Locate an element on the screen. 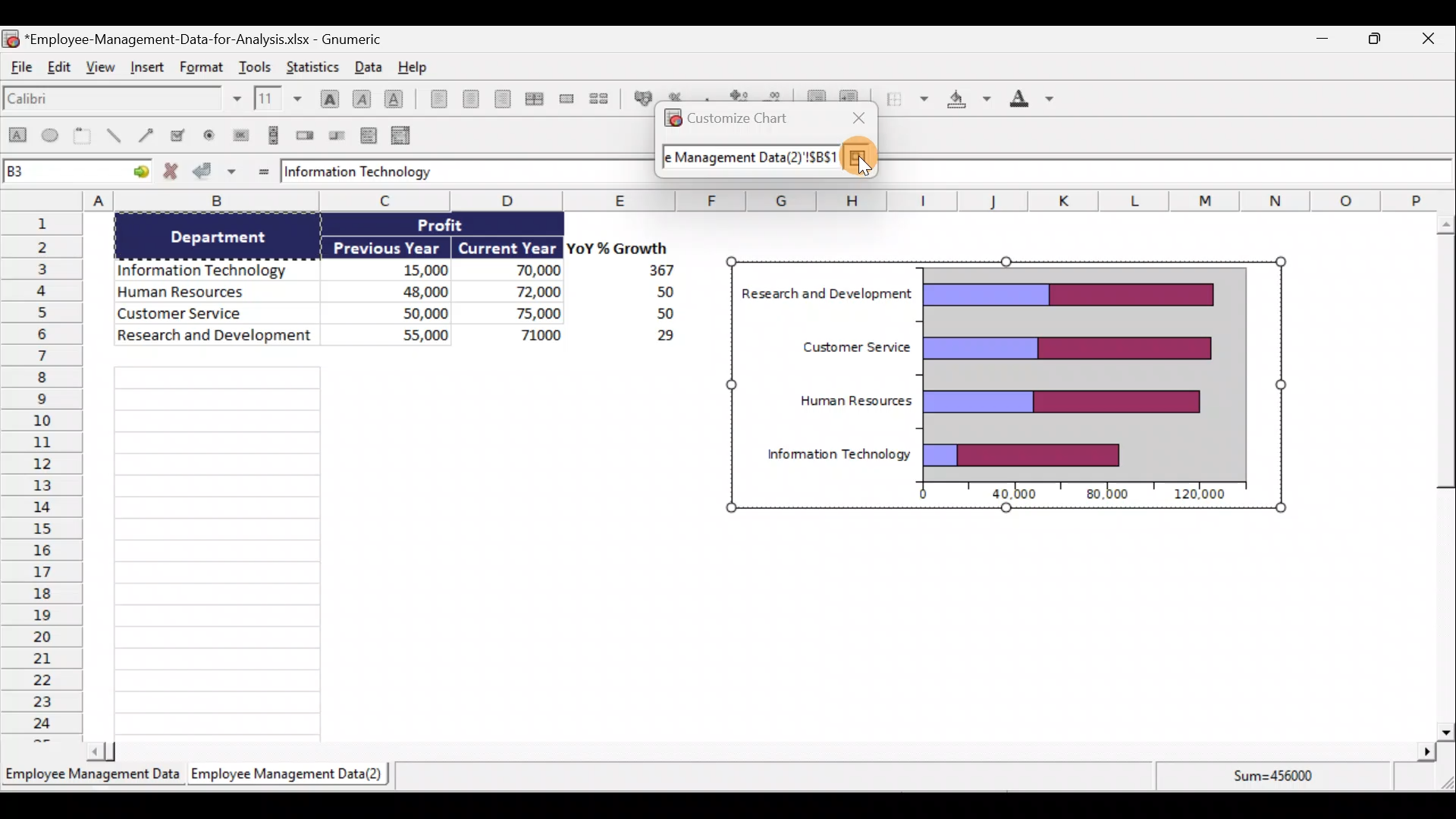  Go to is located at coordinates (138, 174).